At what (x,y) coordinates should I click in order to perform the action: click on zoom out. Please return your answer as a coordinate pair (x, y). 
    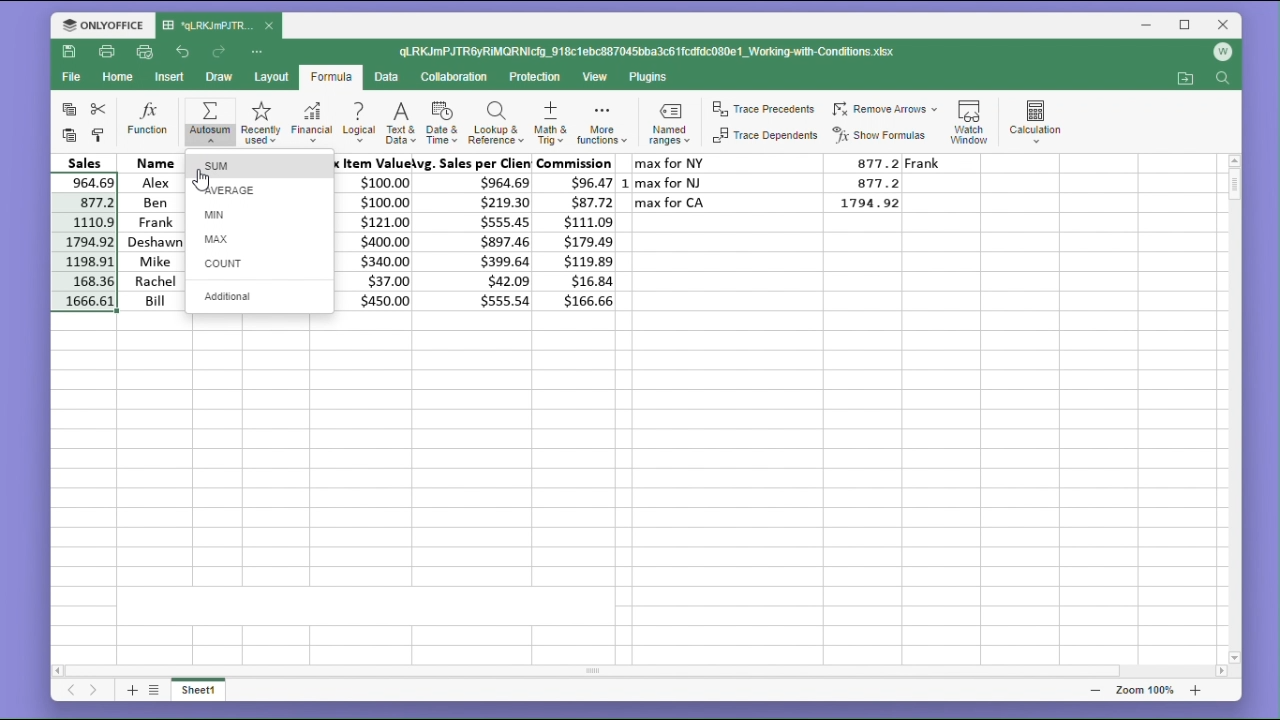
    Looking at the image, I should click on (1095, 690).